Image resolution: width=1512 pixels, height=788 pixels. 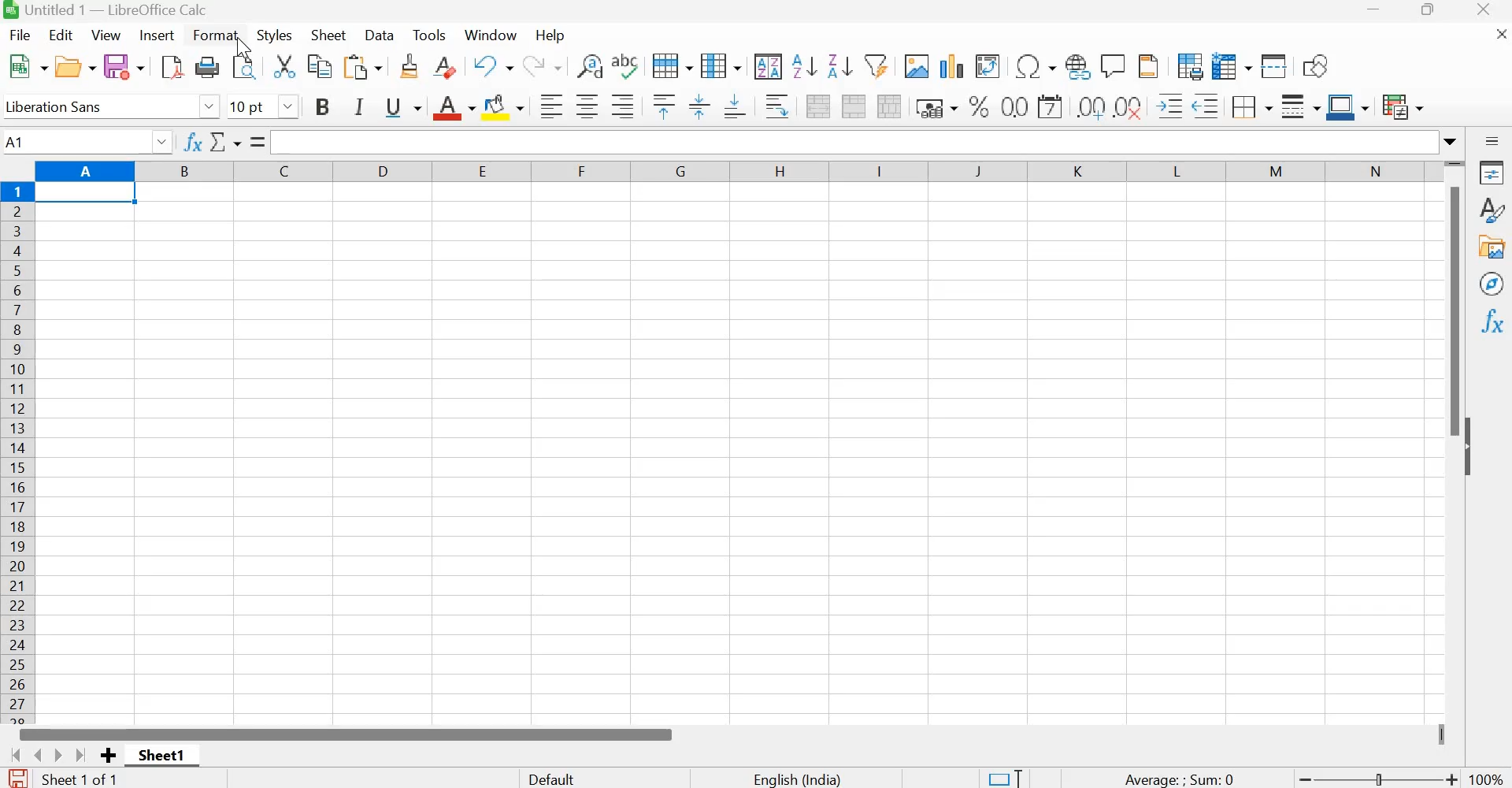 What do you see at coordinates (736, 110) in the screenshot?
I see `Align bottom` at bounding box center [736, 110].